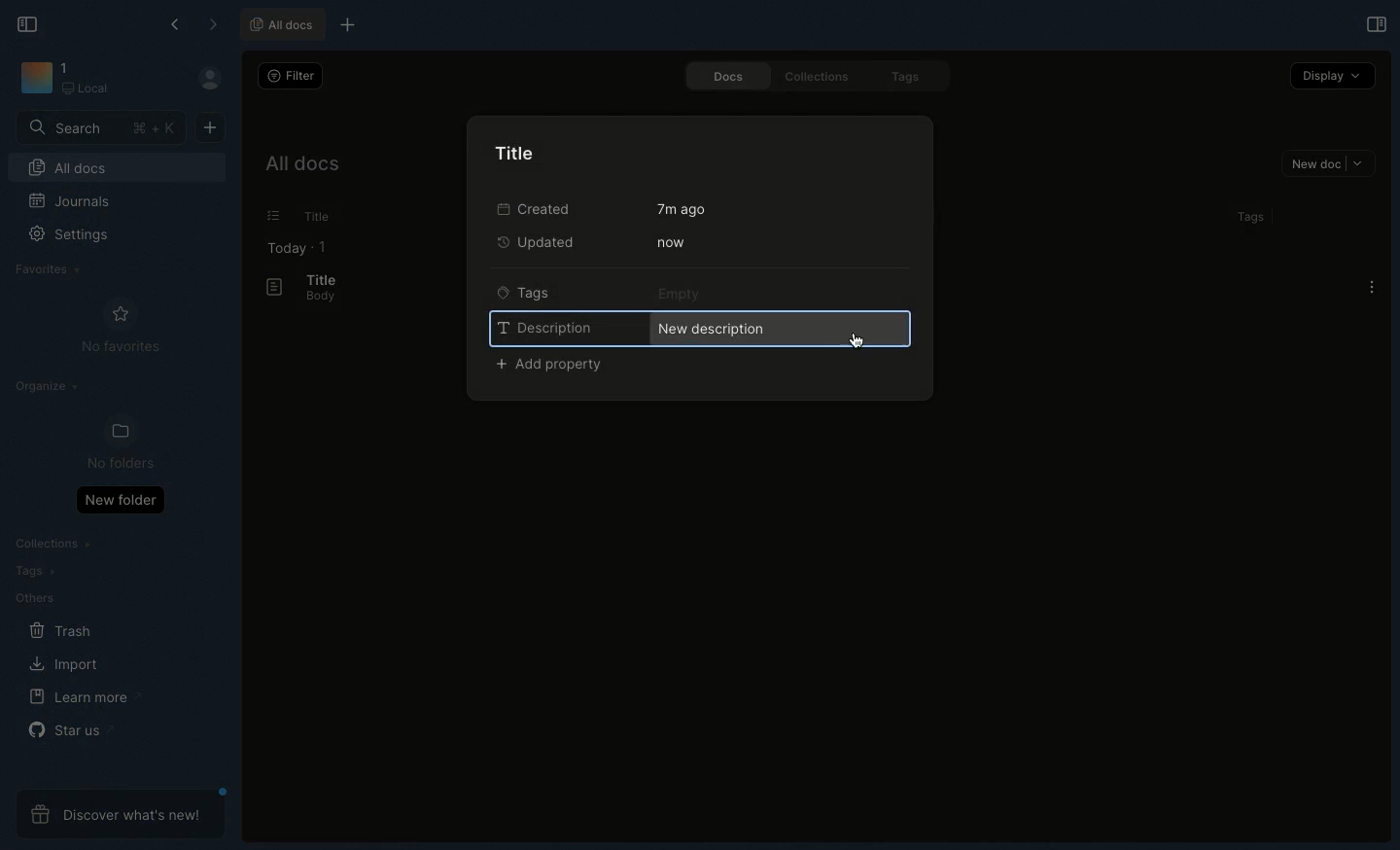  Describe the element at coordinates (218, 79) in the screenshot. I see `User` at that location.